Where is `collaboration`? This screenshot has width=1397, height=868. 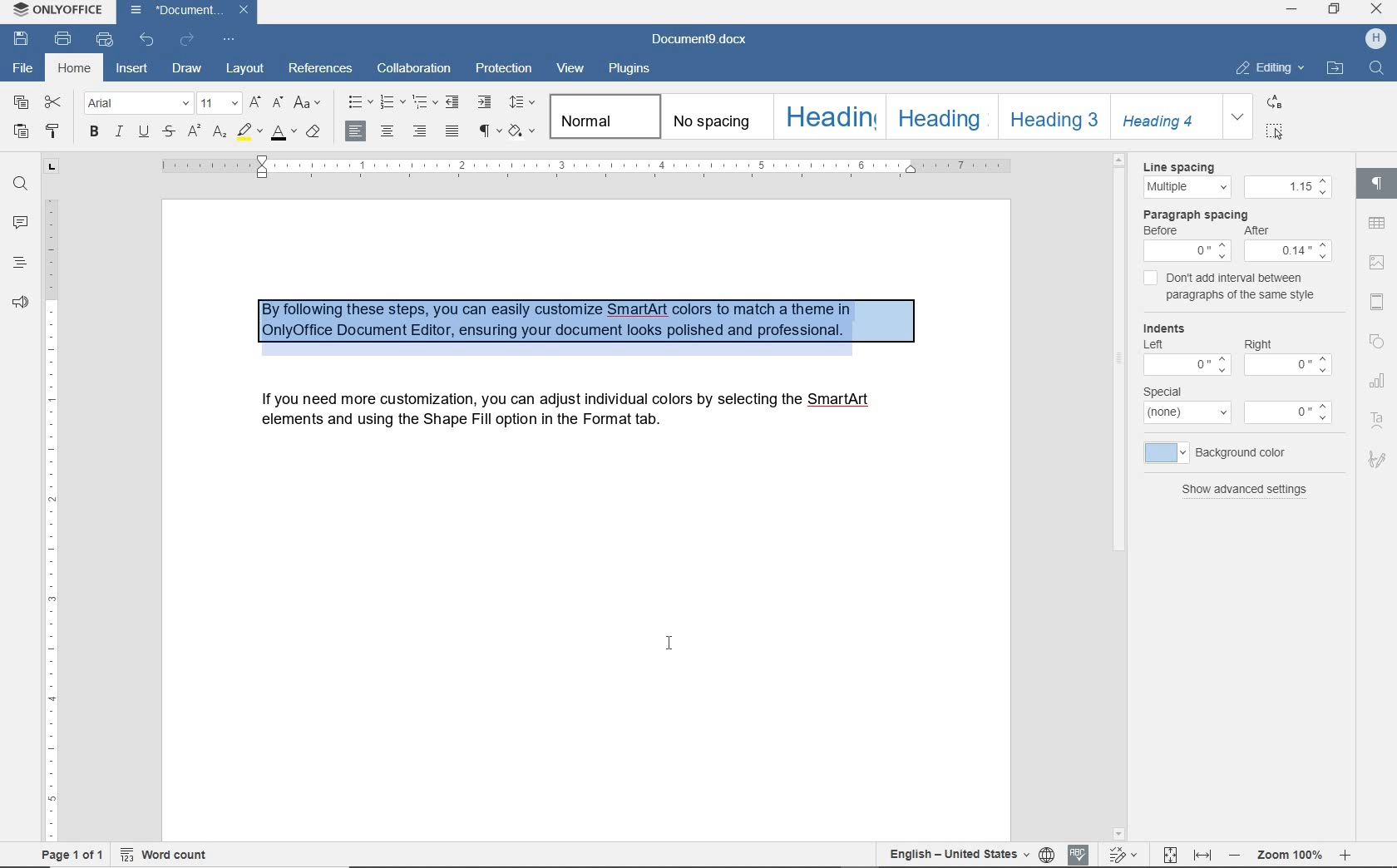 collaboration is located at coordinates (416, 69).